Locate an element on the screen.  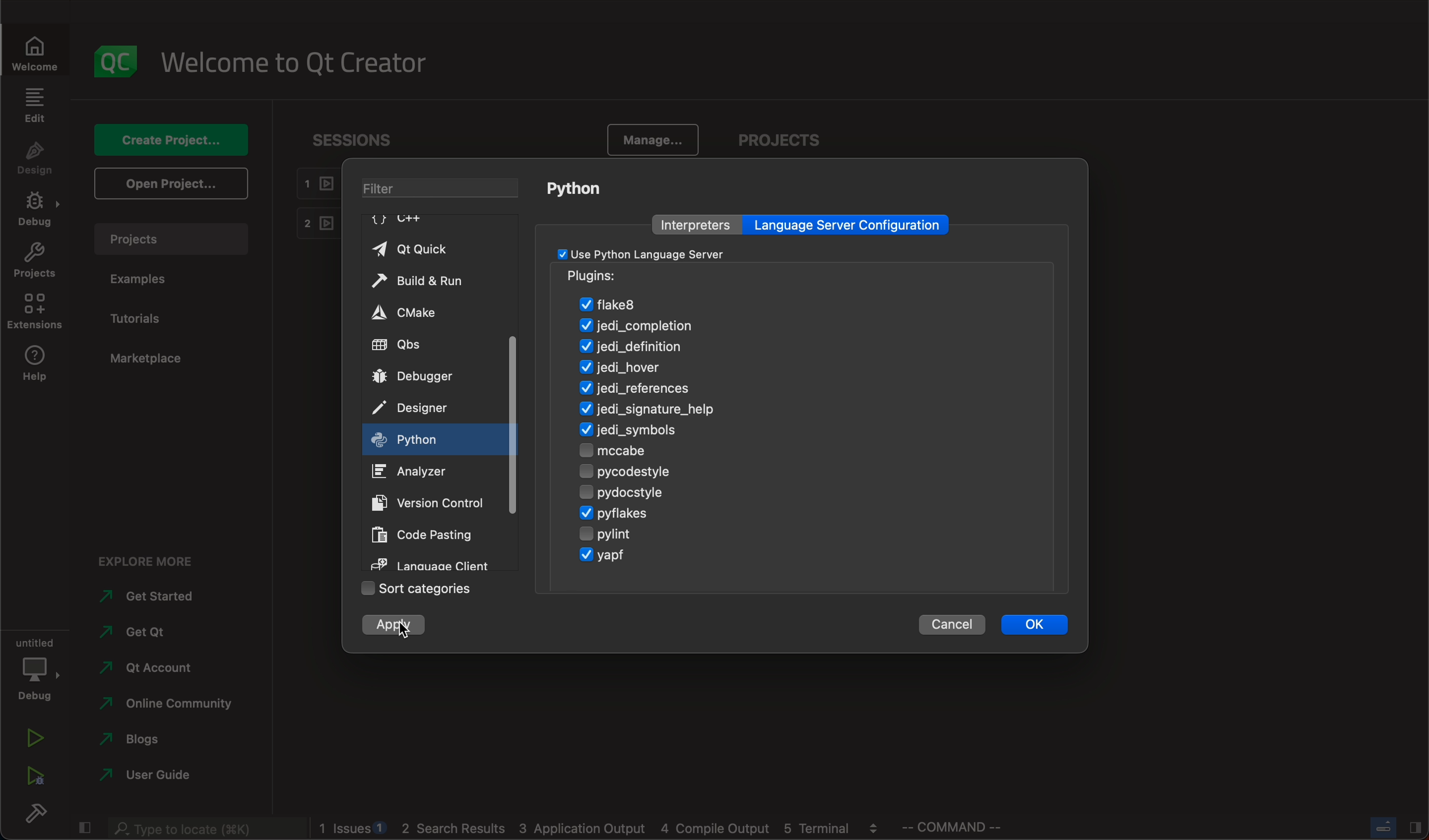
build is located at coordinates (34, 813).